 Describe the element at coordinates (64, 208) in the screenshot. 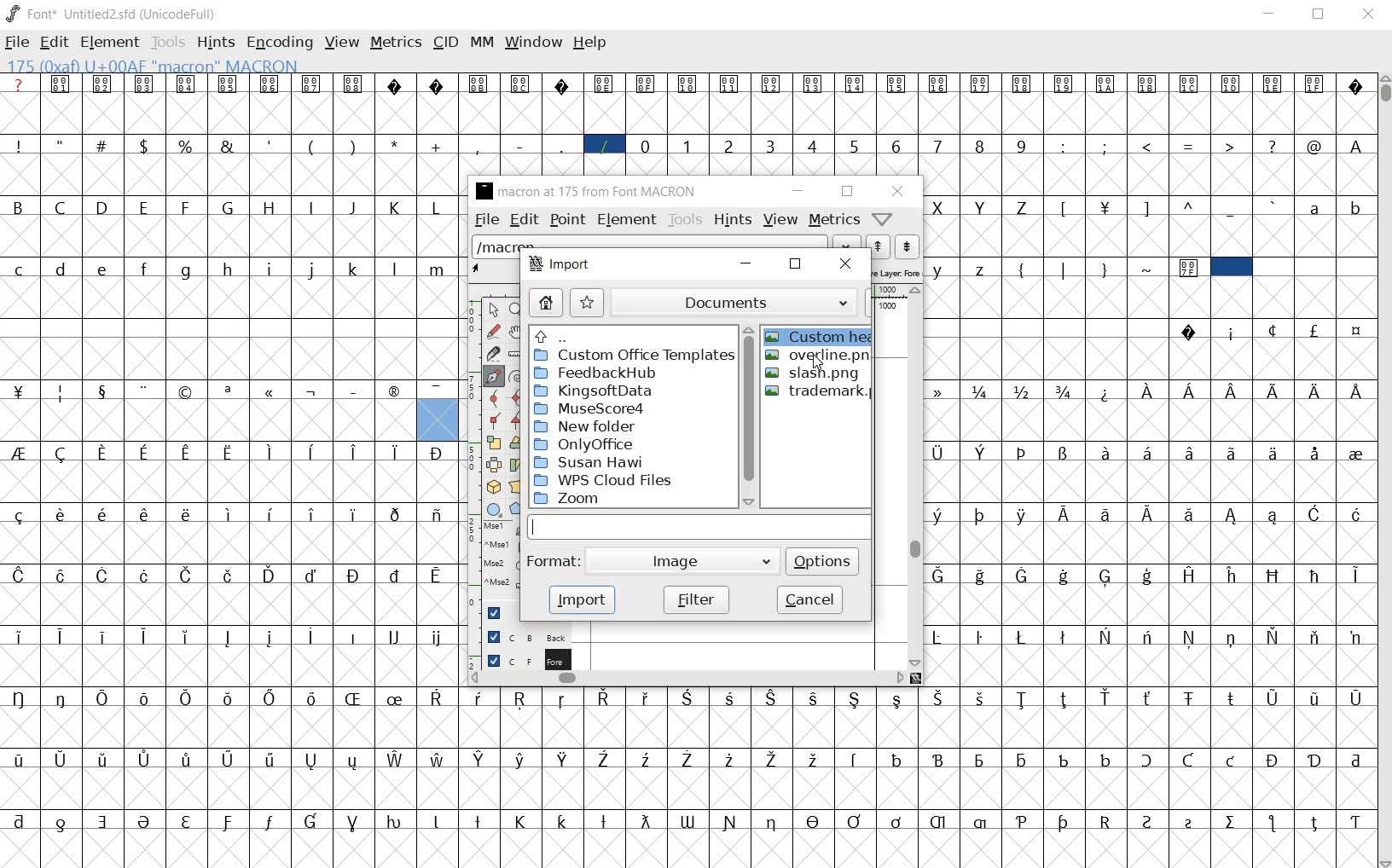

I see `C` at that location.